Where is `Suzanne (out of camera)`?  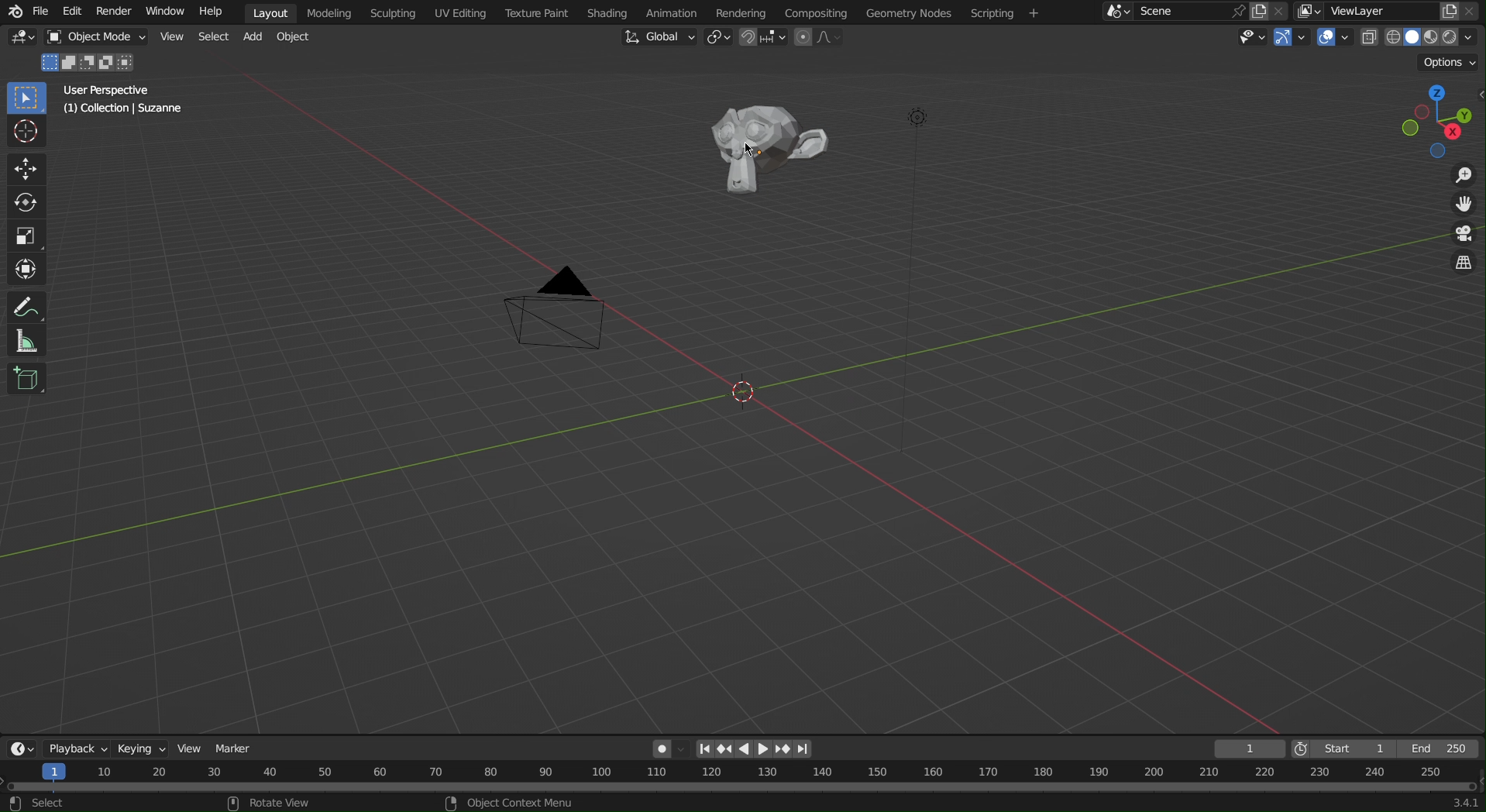 Suzanne (out of camera) is located at coordinates (762, 149).